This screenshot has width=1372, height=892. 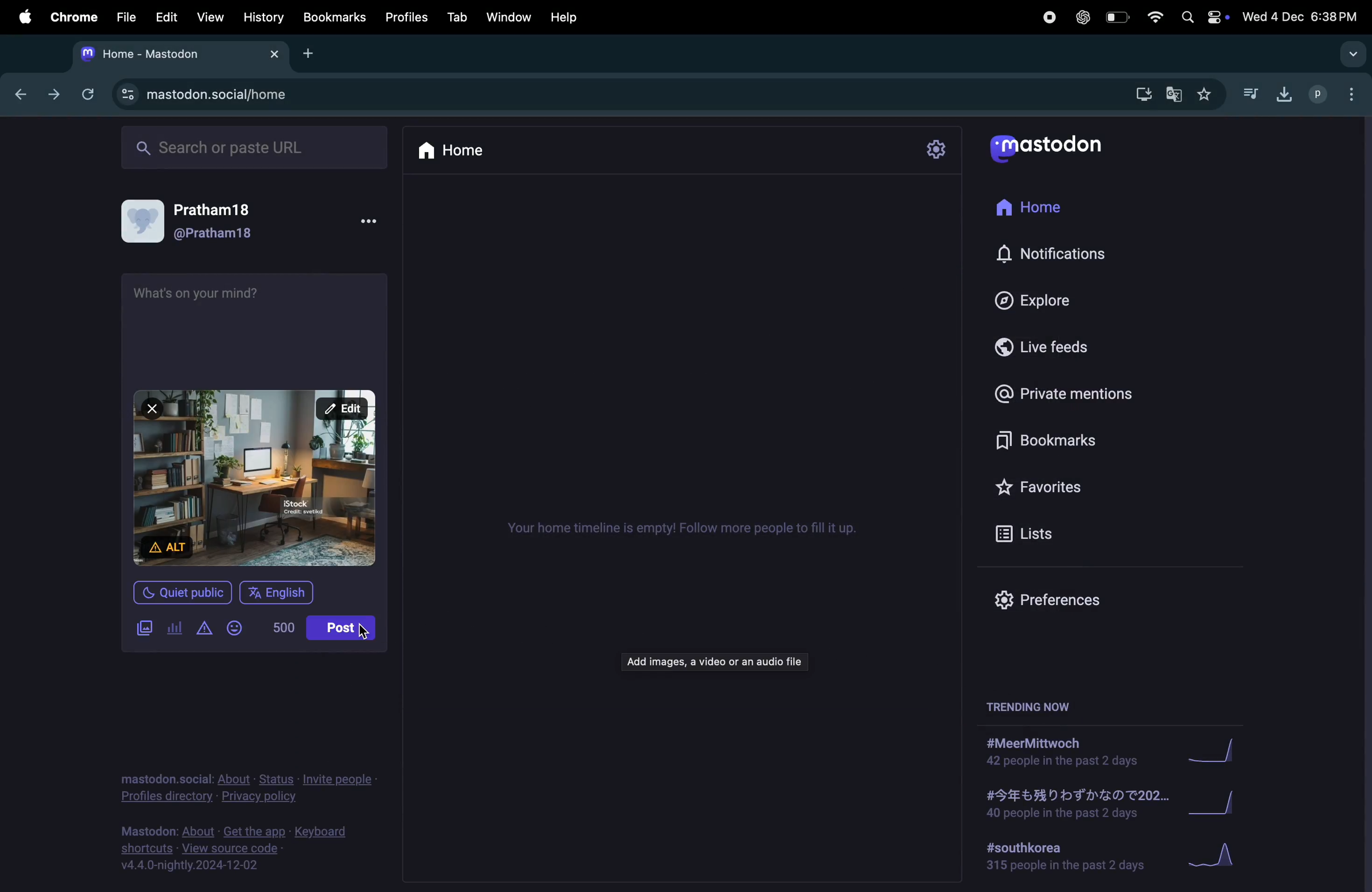 I want to click on Add images, a video or an audio file, so click(x=714, y=663).